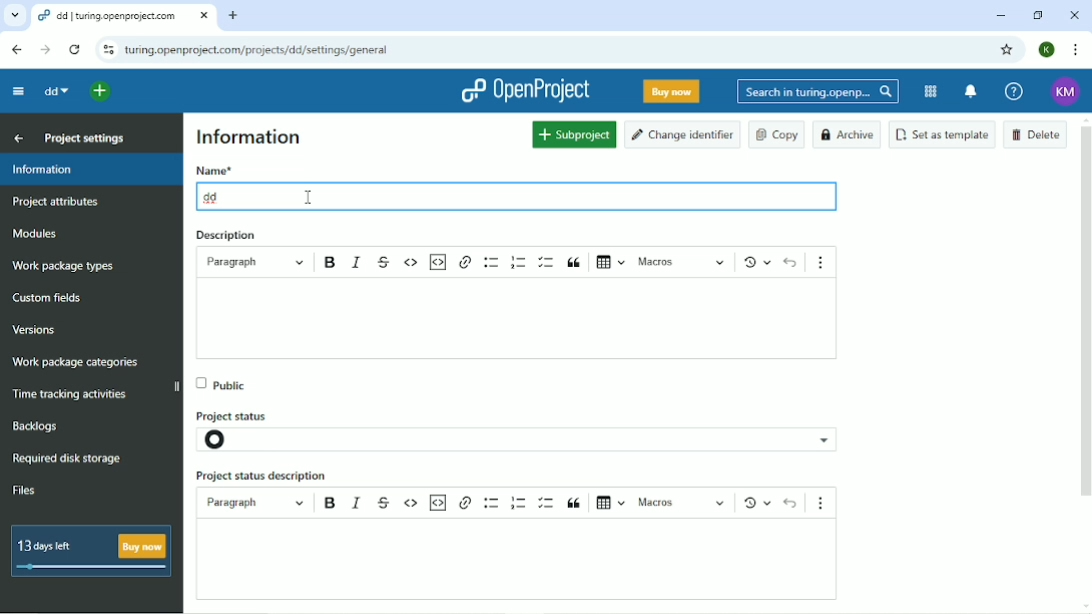 The width and height of the screenshot is (1092, 614). Describe the element at coordinates (943, 134) in the screenshot. I see `Set as template` at that location.